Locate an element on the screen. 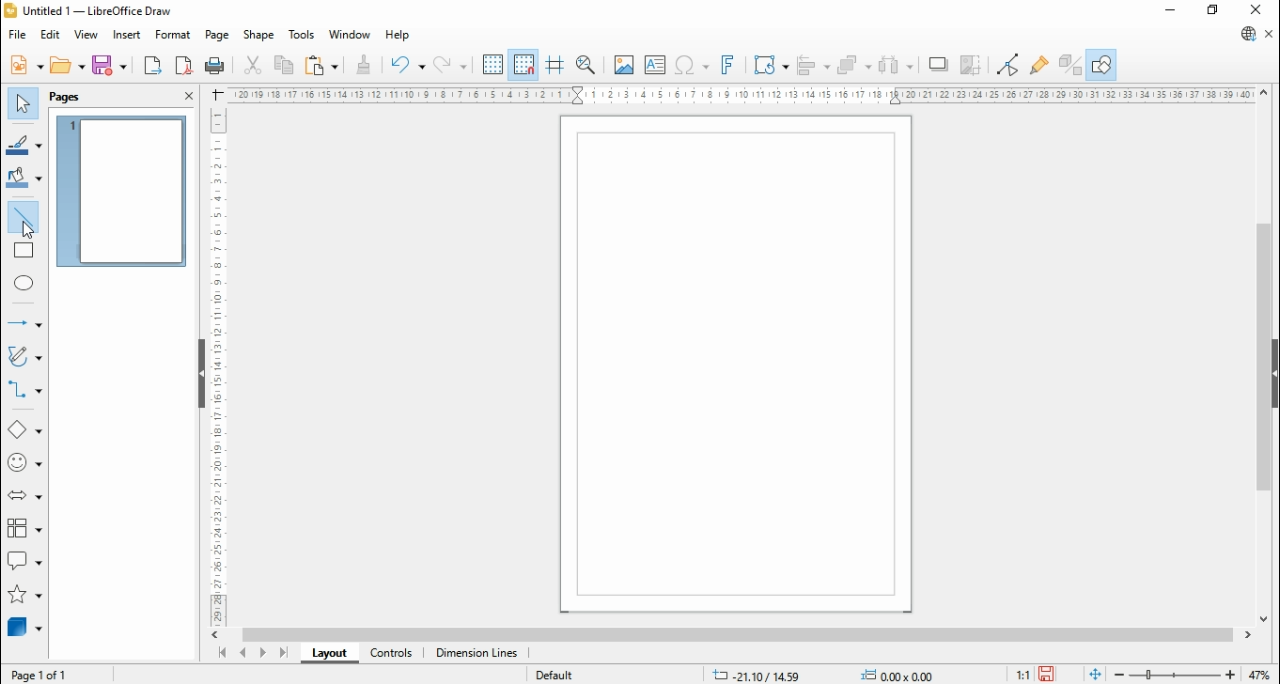 Image resolution: width=1280 pixels, height=684 pixels. first page is located at coordinates (220, 653).